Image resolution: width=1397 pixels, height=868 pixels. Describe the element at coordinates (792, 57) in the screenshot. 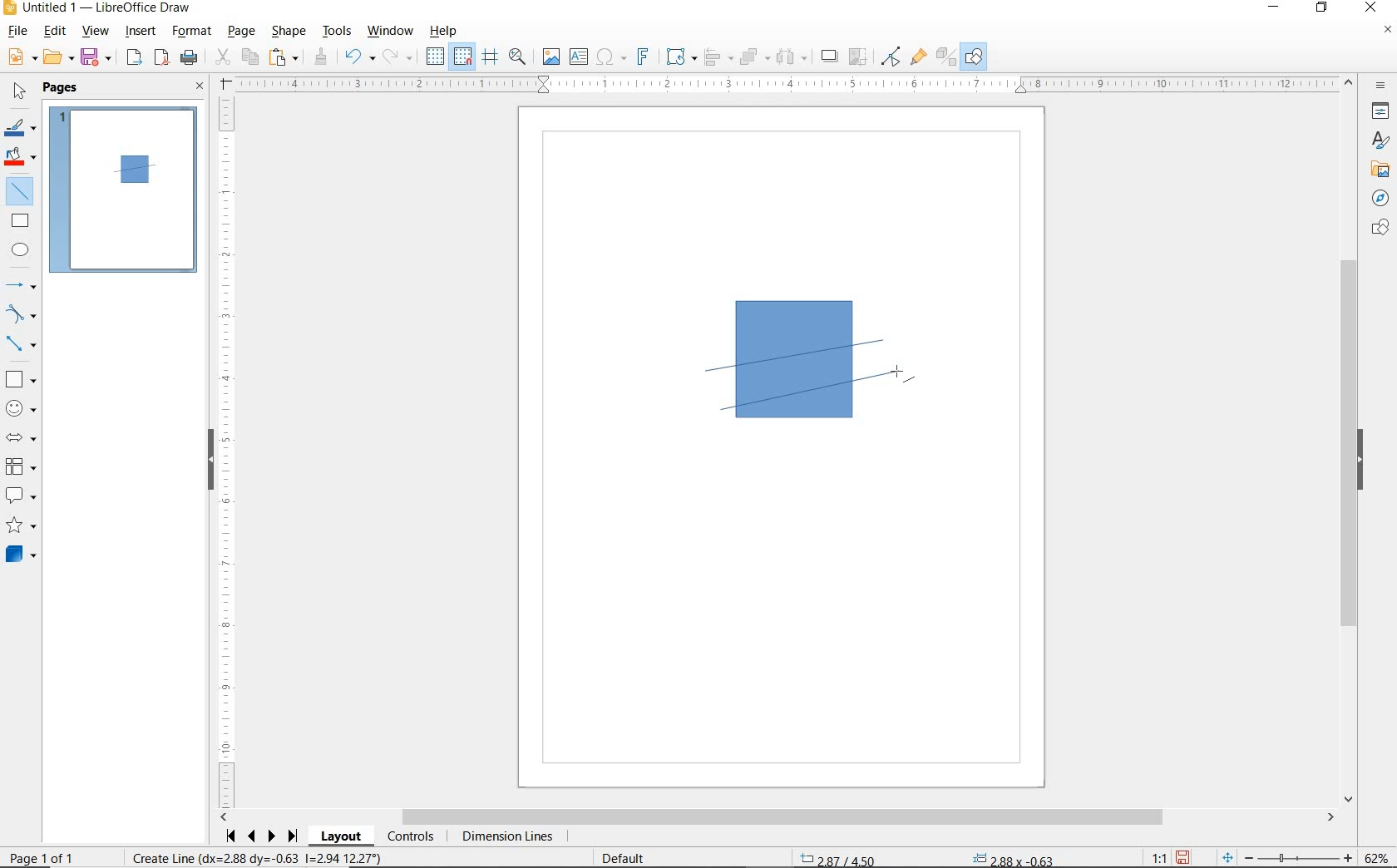

I see `SELECT AT LEAST THREE OBJECTS TO DISTRIBUTE` at that location.